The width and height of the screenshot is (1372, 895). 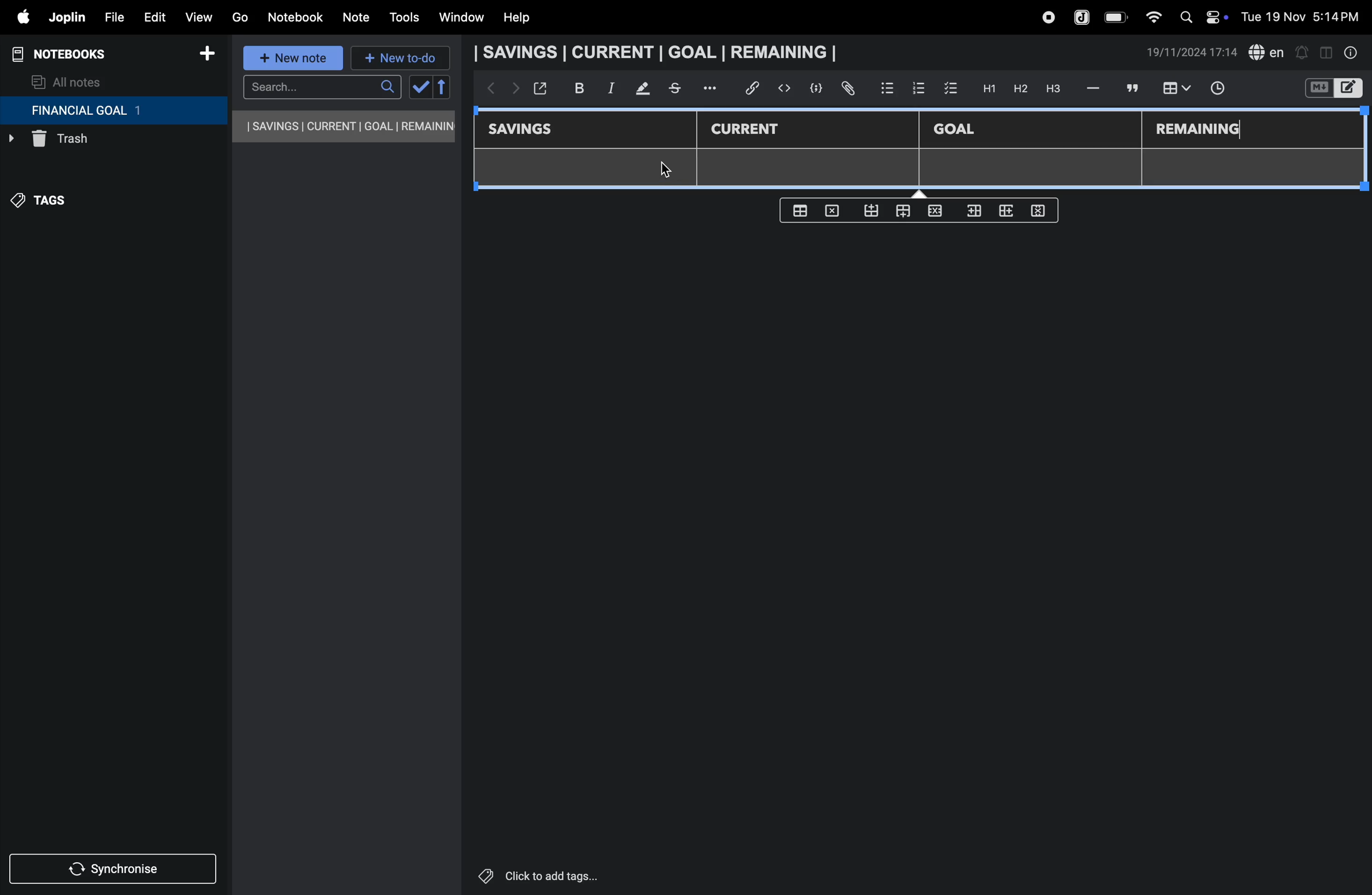 What do you see at coordinates (149, 14) in the screenshot?
I see `edit` at bounding box center [149, 14].